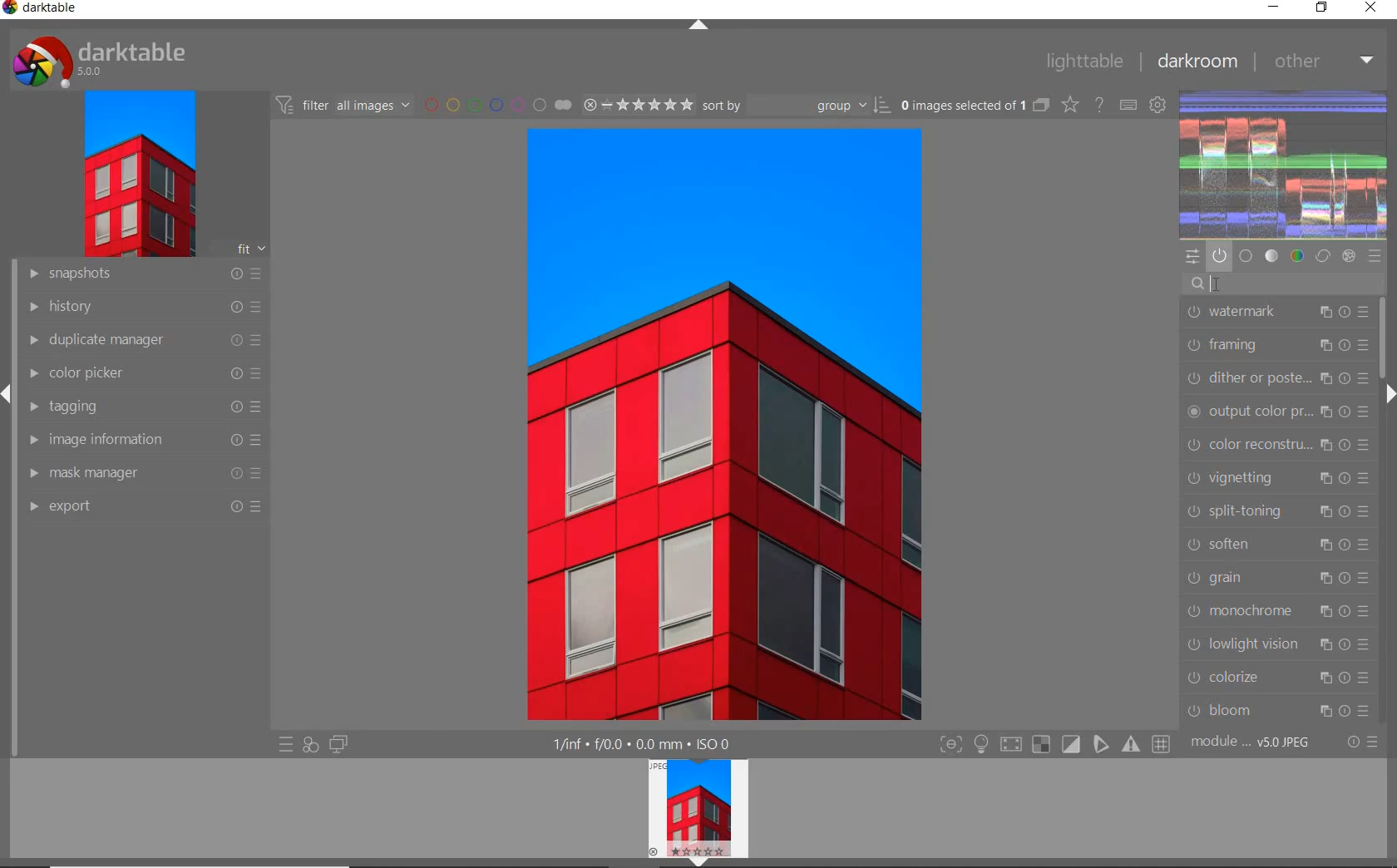 The image size is (1397, 868). I want to click on image, so click(138, 177).